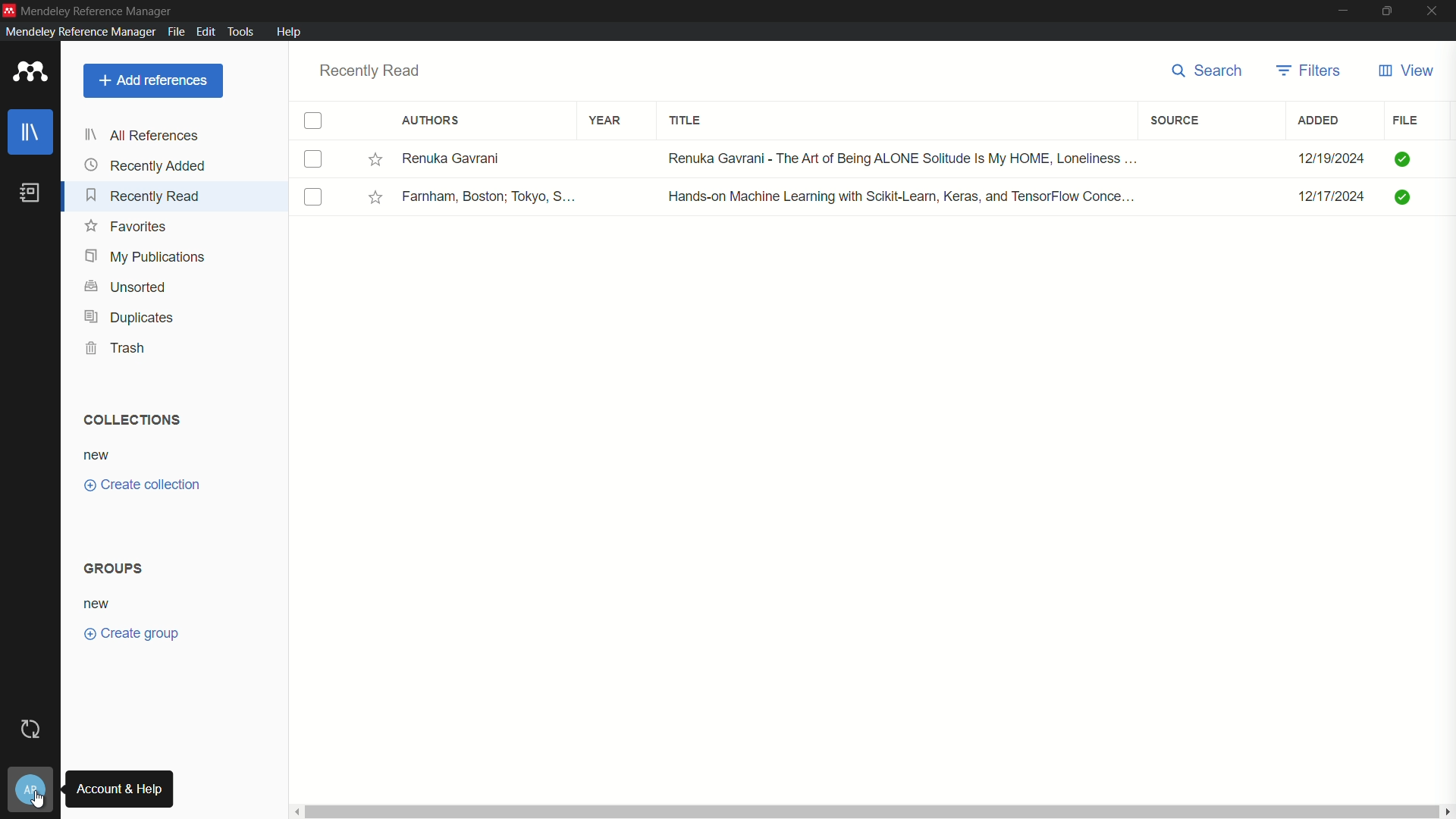 This screenshot has height=819, width=1456. I want to click on trash, so click(117, 349).